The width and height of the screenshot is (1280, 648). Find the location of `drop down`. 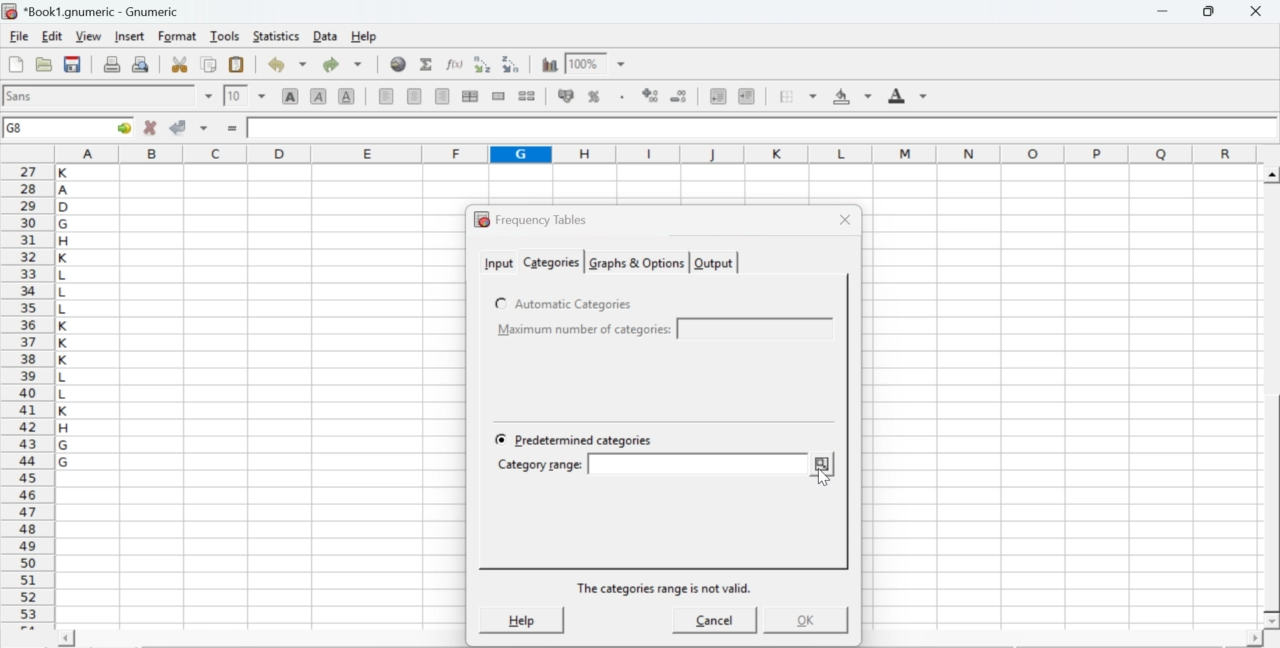

drop down is located at coordinates (262, 95).